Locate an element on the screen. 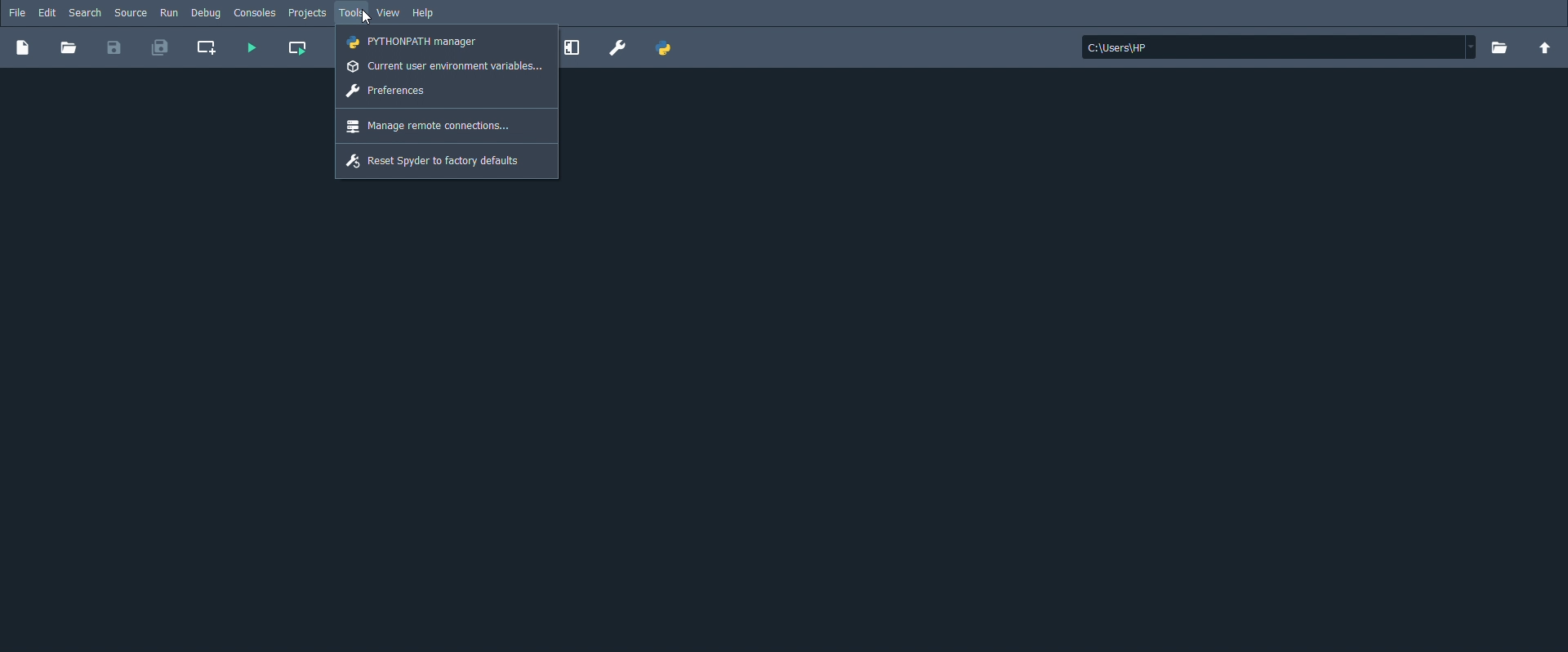 The height and width of the screenshot is (652, 1568). Help is located at coordinates (424, 14).